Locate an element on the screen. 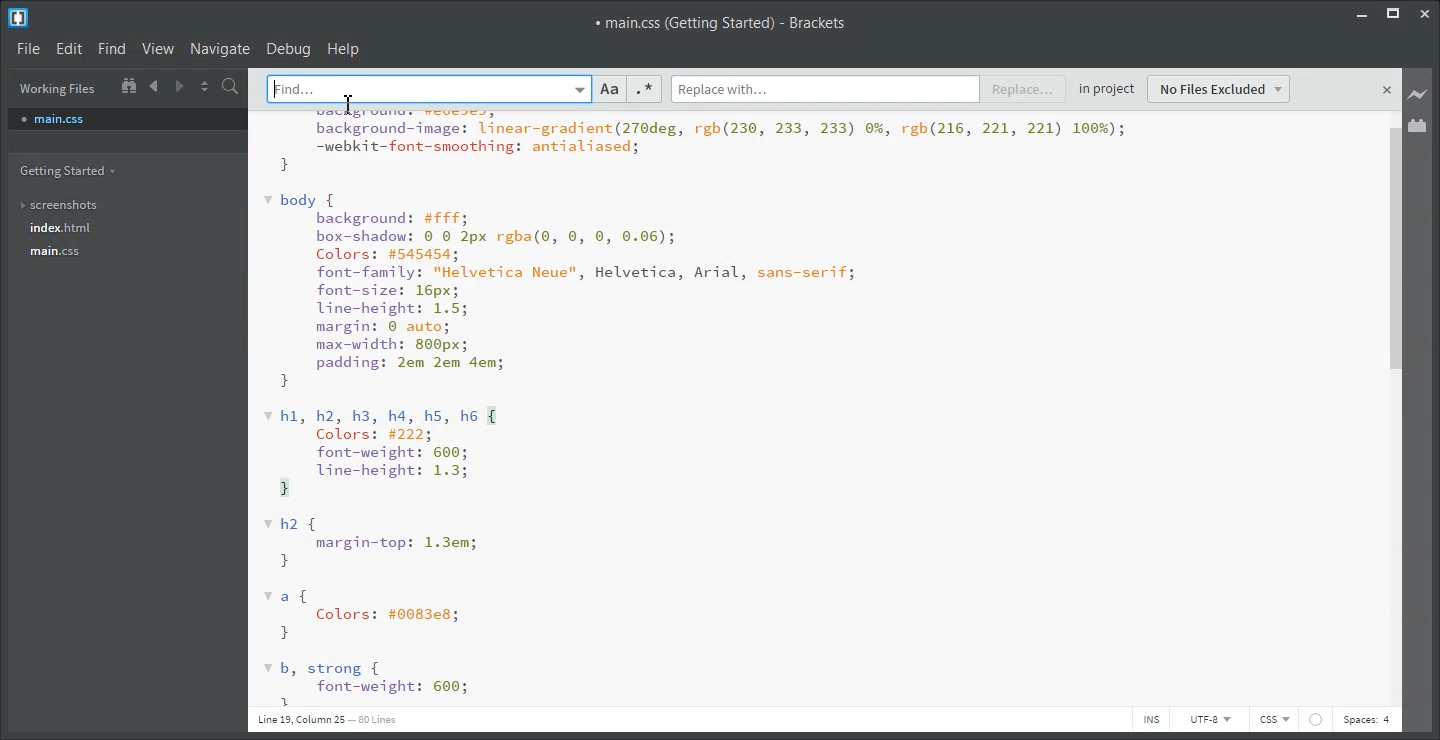 The image size is (1440, 740). Minimize is located at coordinates (1361, 13).